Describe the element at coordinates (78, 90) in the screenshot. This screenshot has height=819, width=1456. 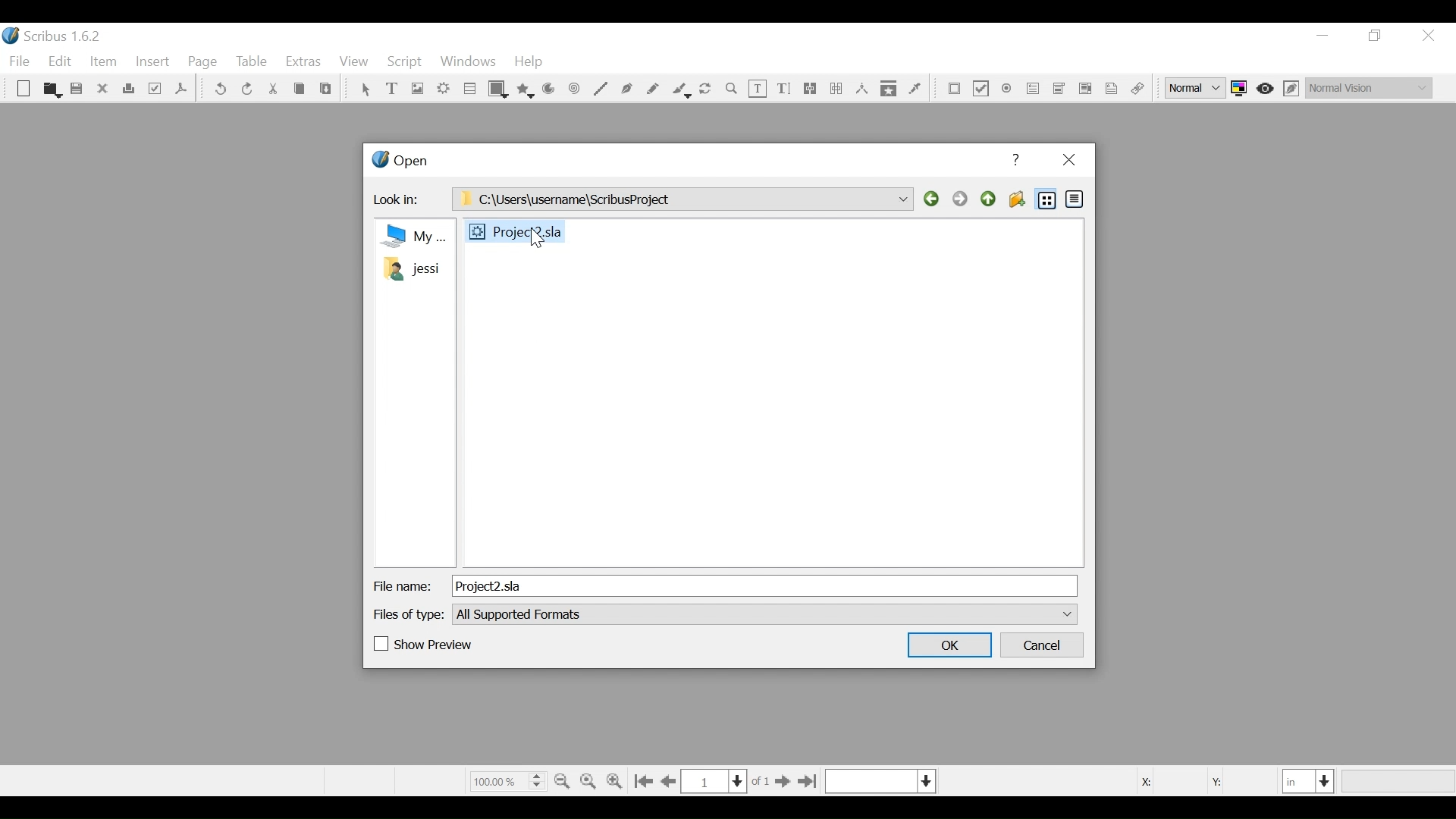
I see `Save` at that location.